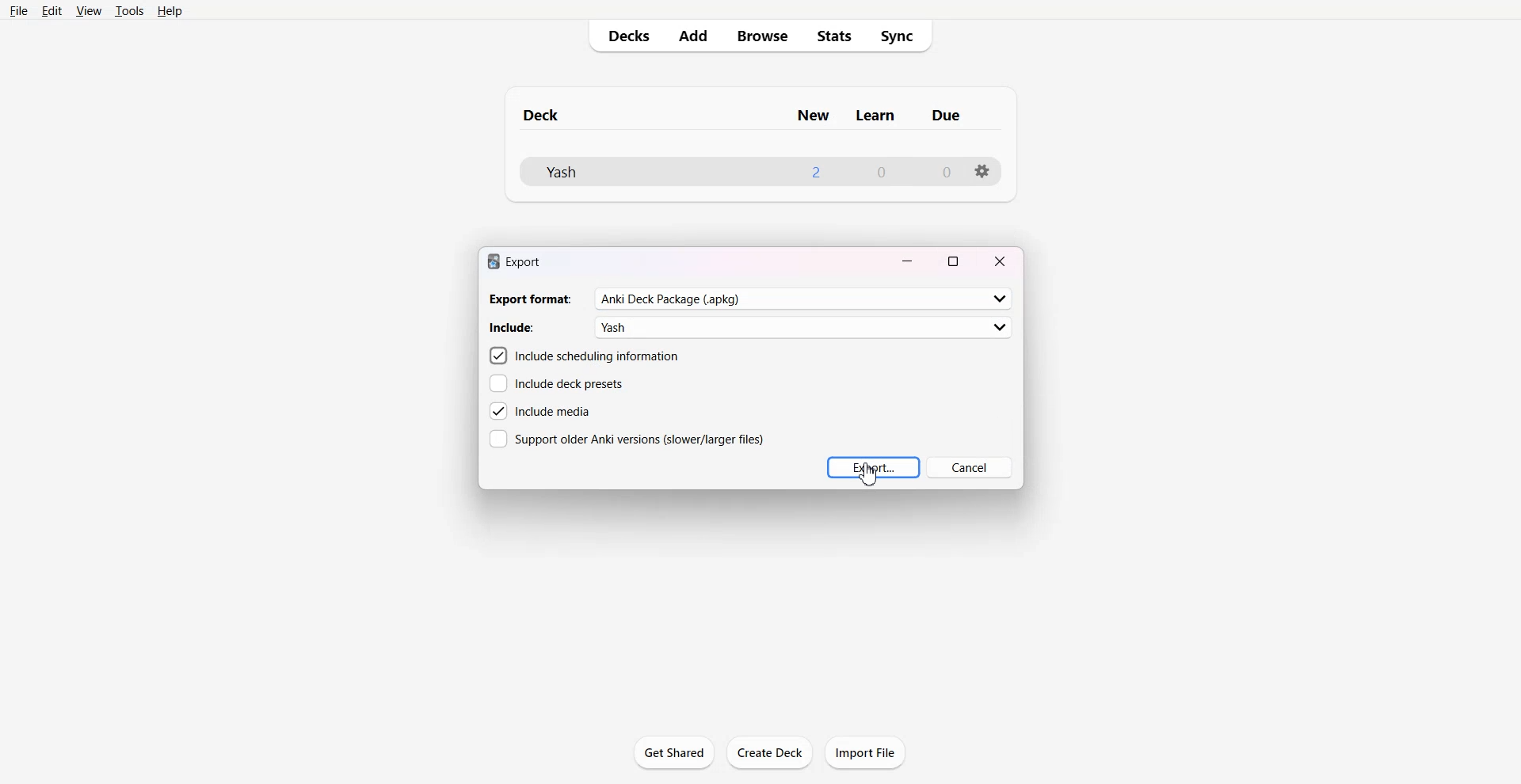 The width and height of the screenshot is (1521, 784). I want to click on 1, so click(814, 171).